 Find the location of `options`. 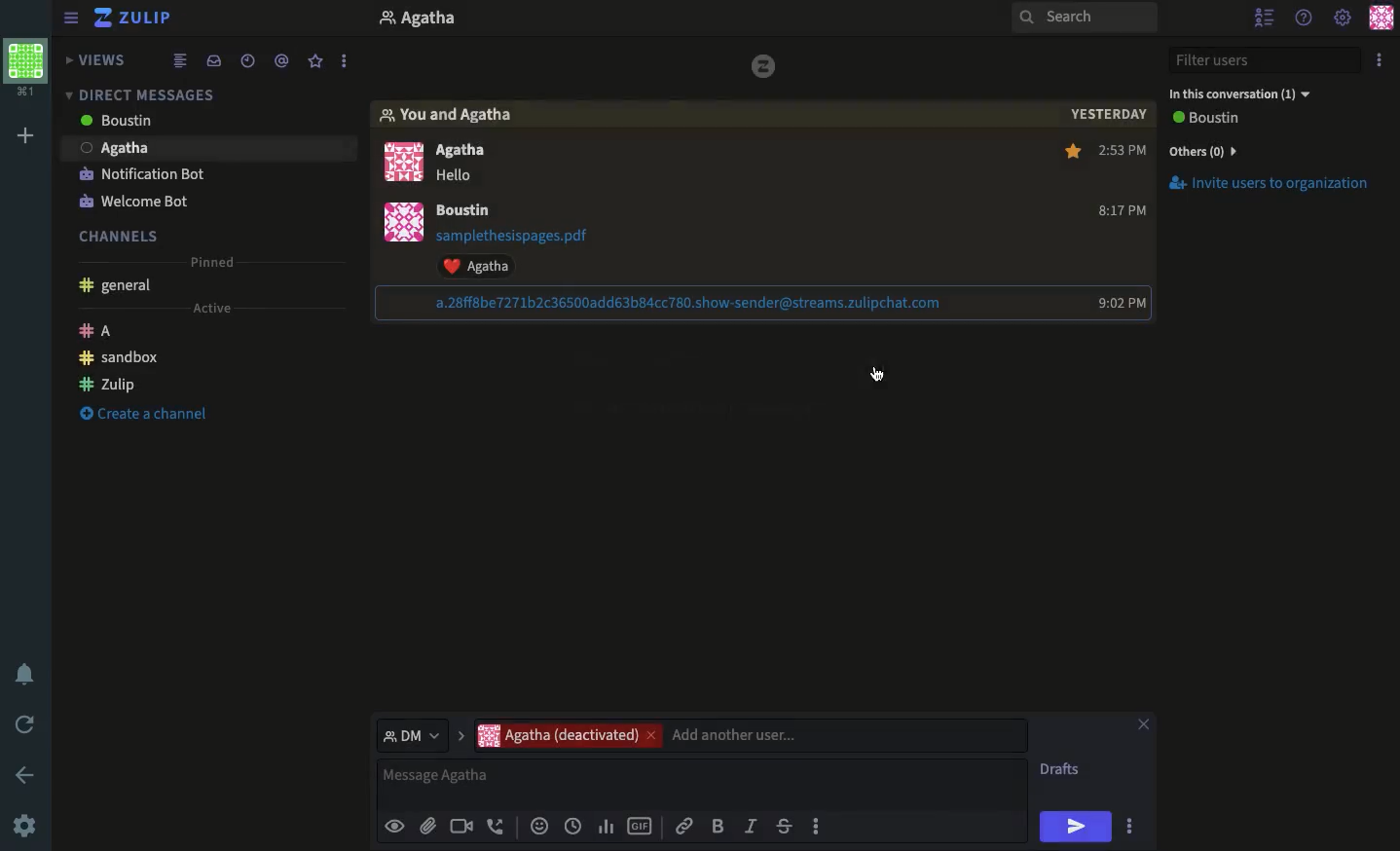

options is located at coordinates (818, 832).